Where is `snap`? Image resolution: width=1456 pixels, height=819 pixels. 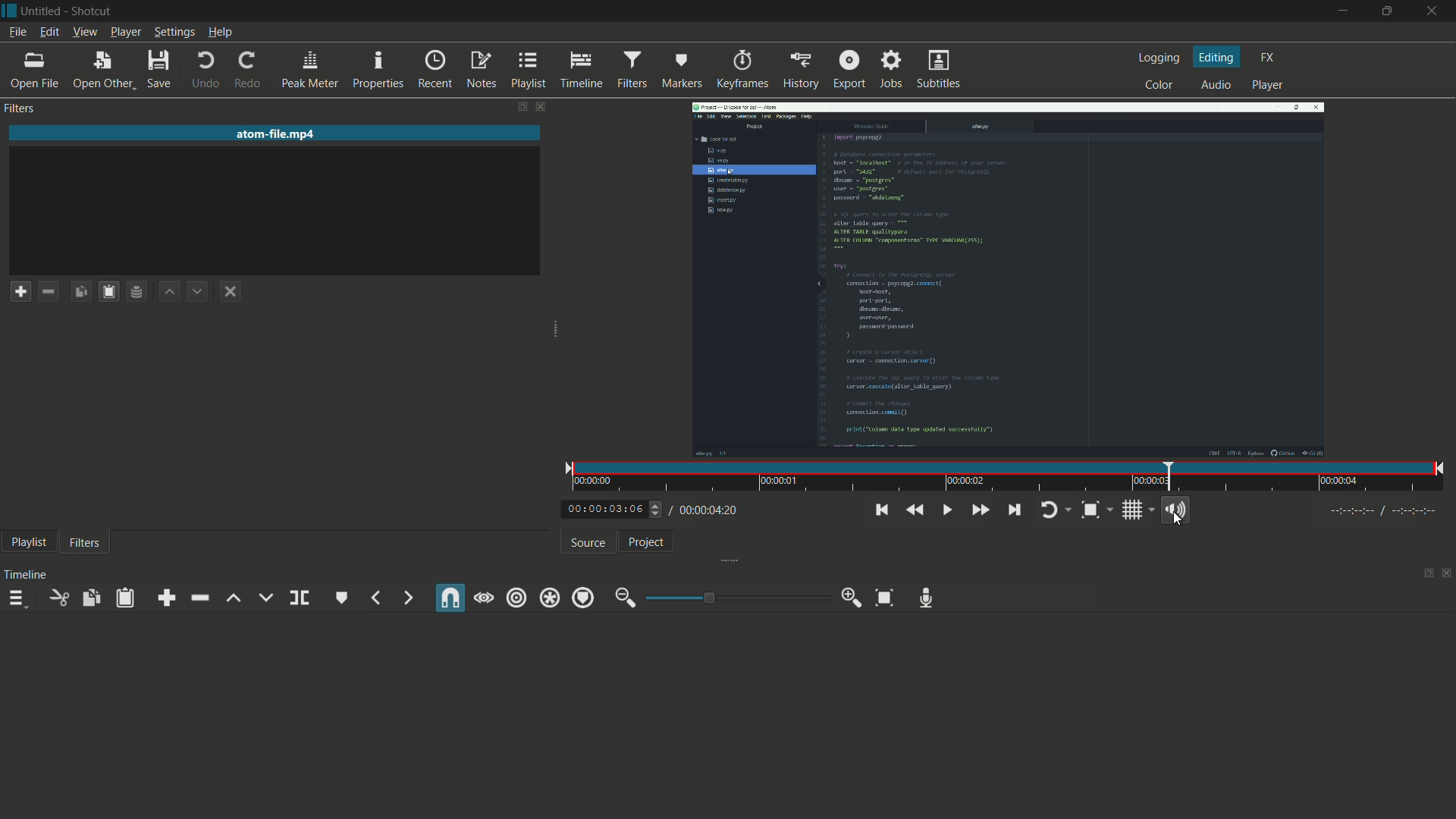 snap is located at coordinates (449, 598).